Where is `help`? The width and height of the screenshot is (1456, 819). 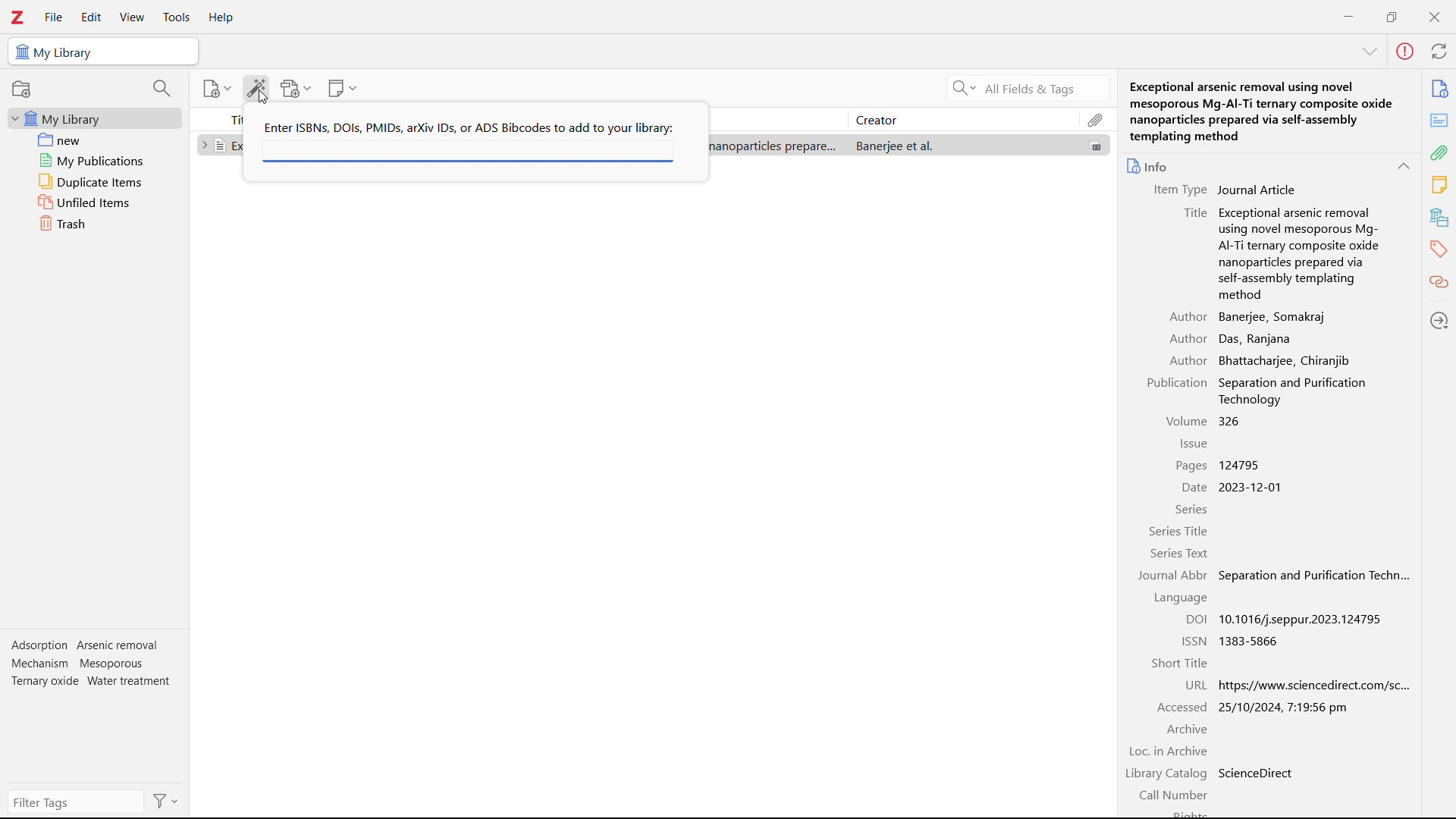 help is located at coordinates (221, 18).